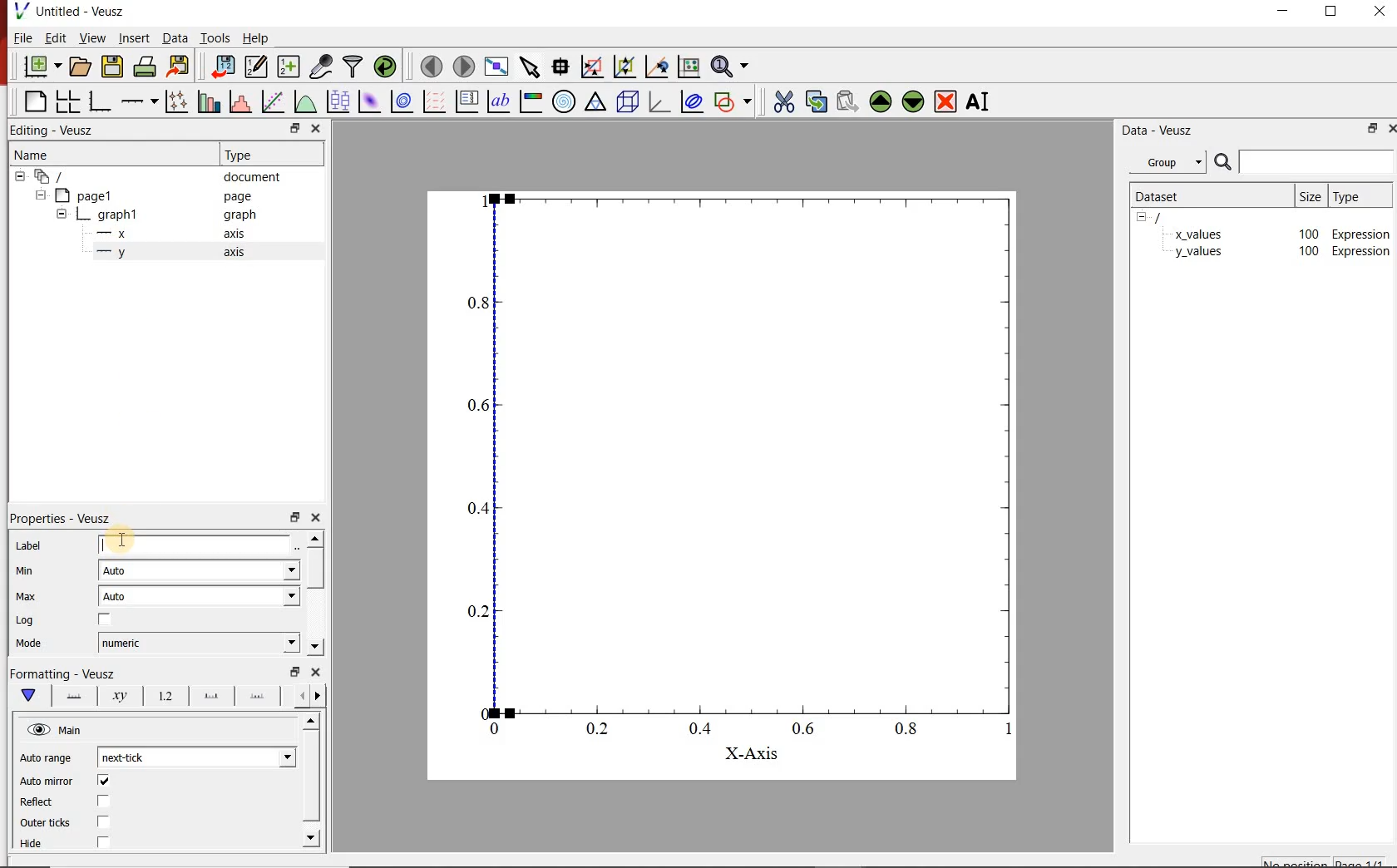  Describe the element at coordinates (1165, 162) in the screenshot. I see `group` at that location.